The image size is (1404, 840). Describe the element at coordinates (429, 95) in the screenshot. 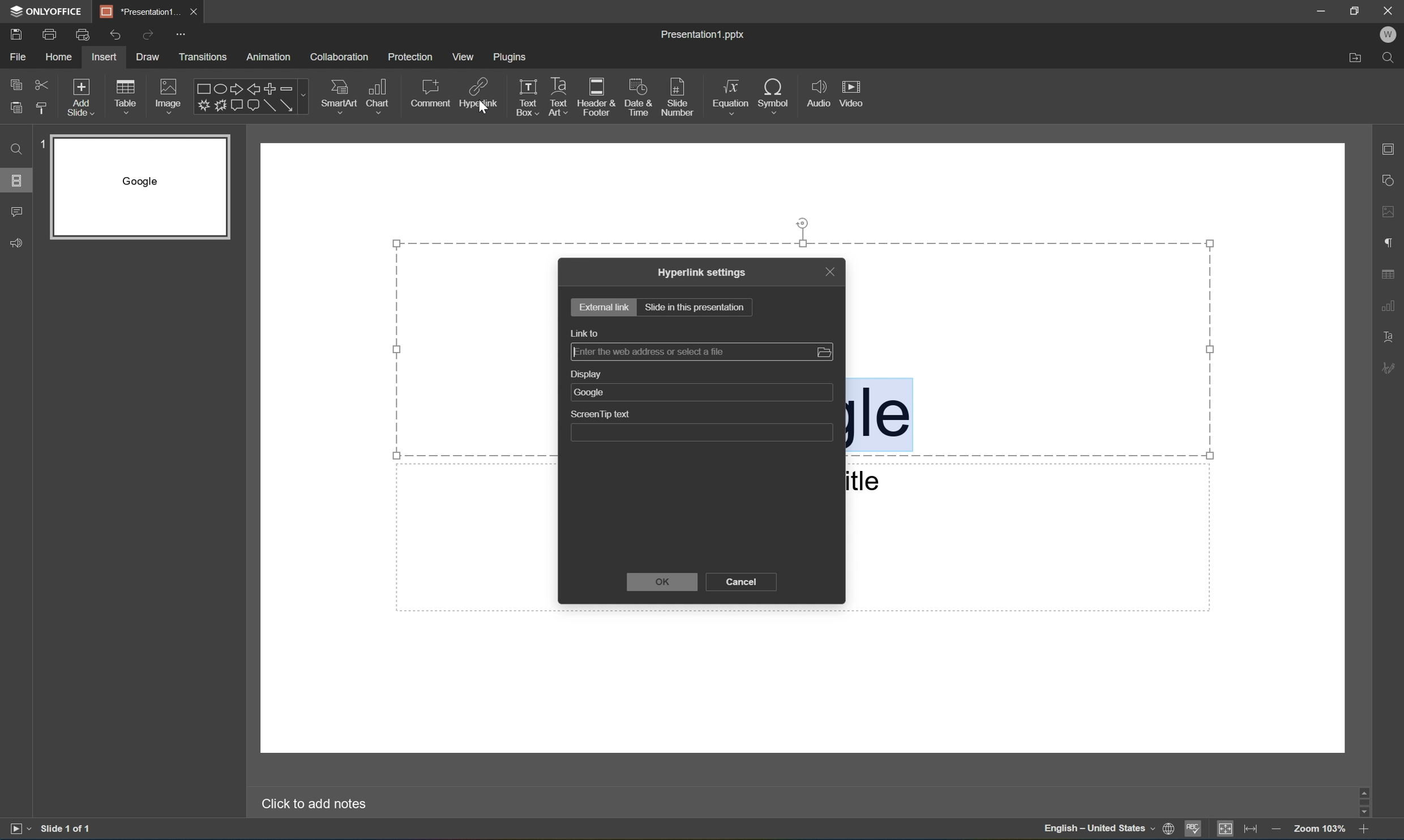

I see `Comment` at that location.